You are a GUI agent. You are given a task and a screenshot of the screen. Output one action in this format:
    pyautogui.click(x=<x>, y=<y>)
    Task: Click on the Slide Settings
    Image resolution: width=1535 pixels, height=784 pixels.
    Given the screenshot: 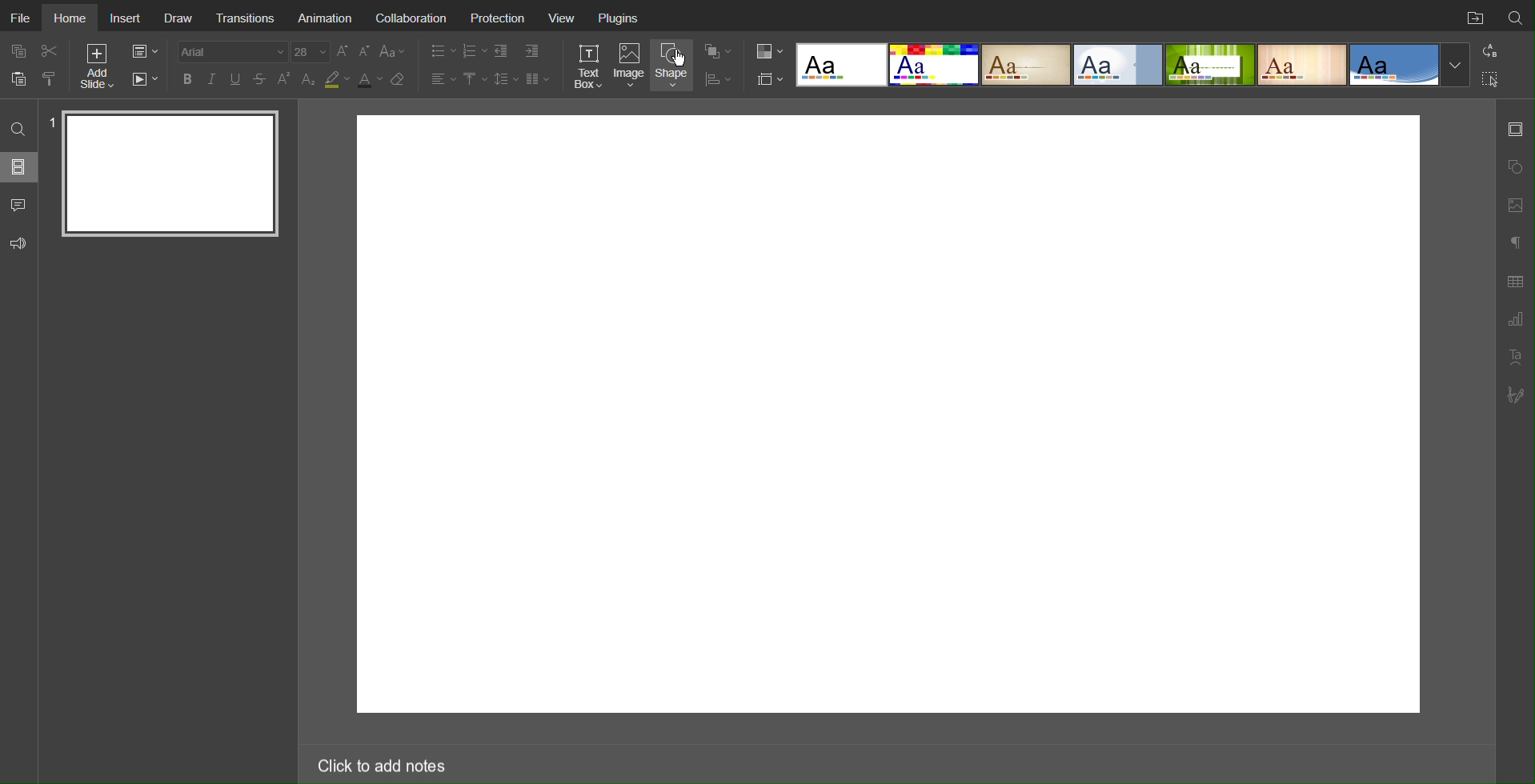 What is the action you would take?
    pyautogui.click(x=1515, y=129)
    